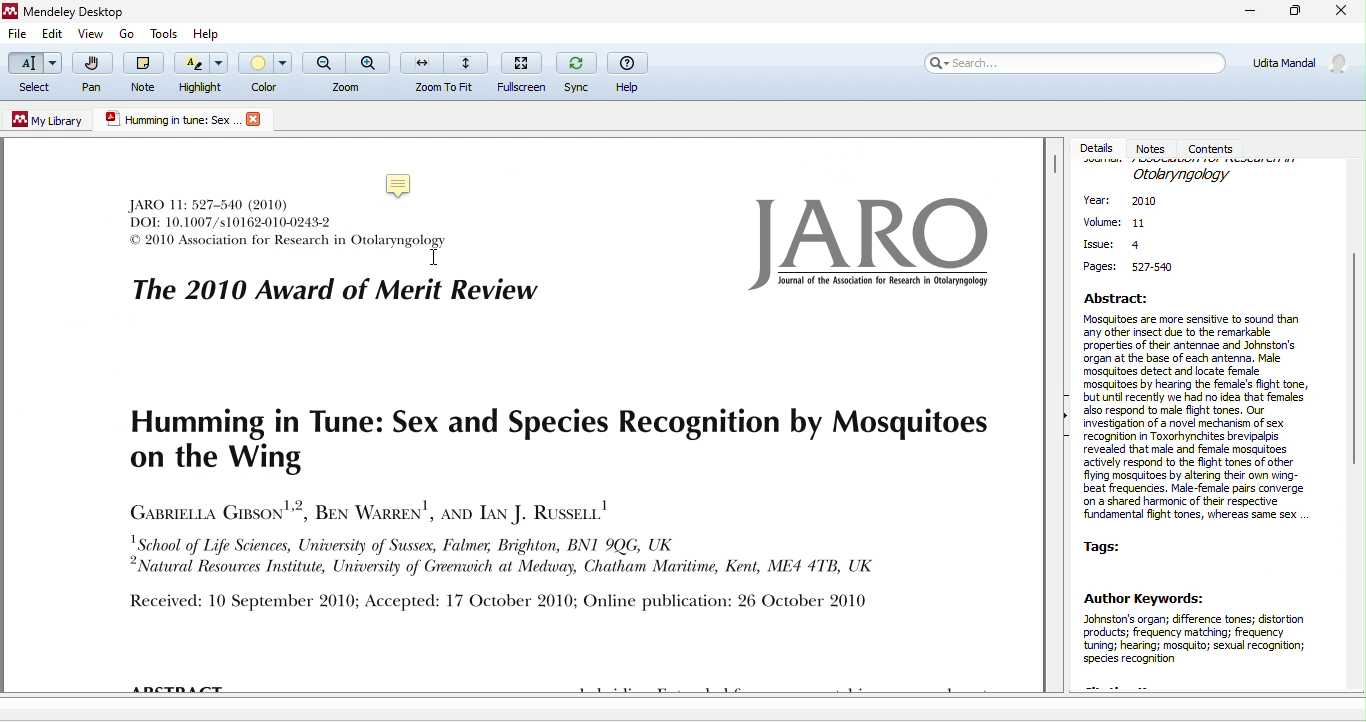 The image size is (1366, 722). What do you see at coordinates (1293, 14) in the screenshot?
I see `maximize` at bounding box center [1293, 14].